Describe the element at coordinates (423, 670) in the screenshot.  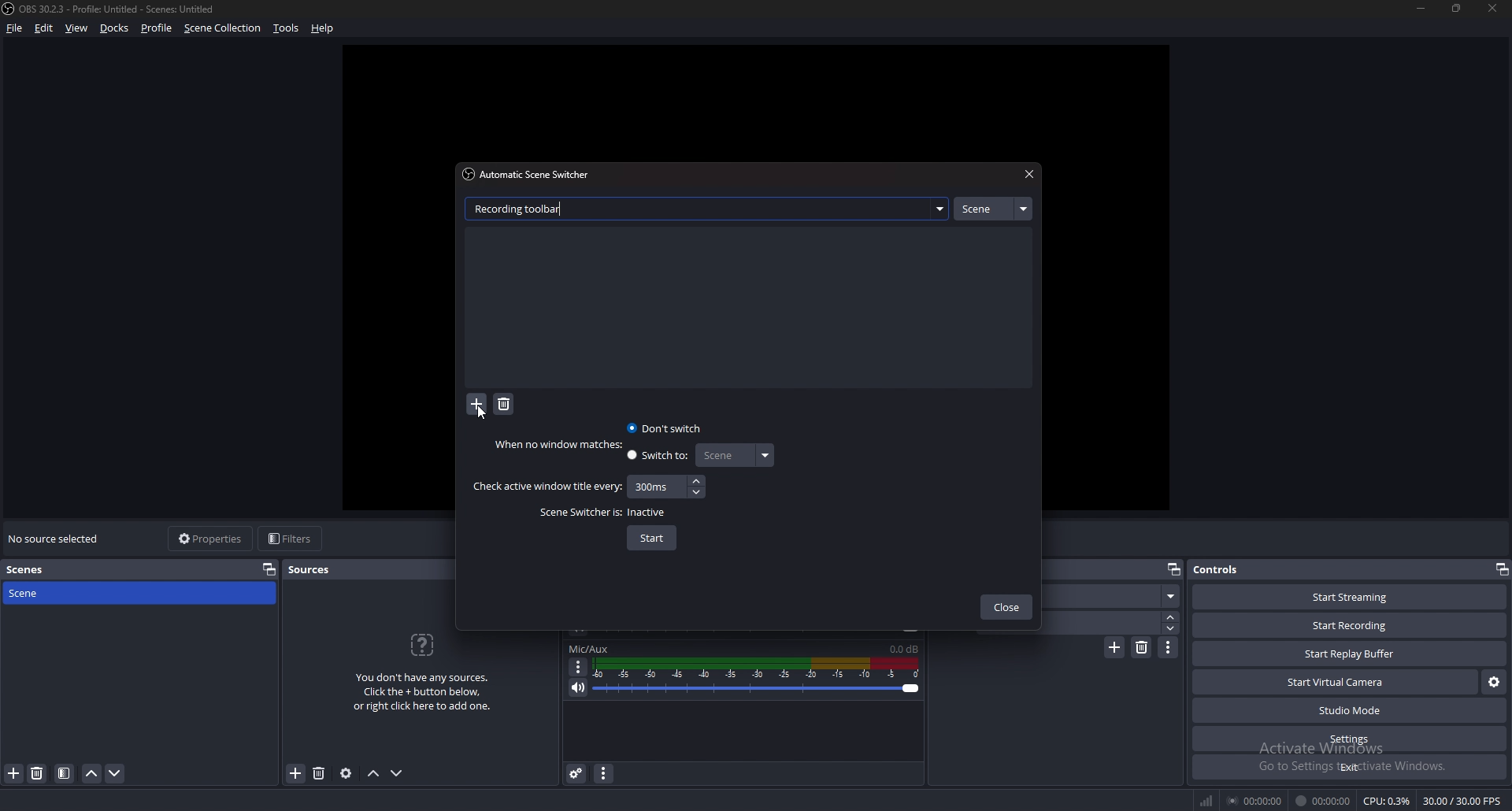
I see `info` at that location.